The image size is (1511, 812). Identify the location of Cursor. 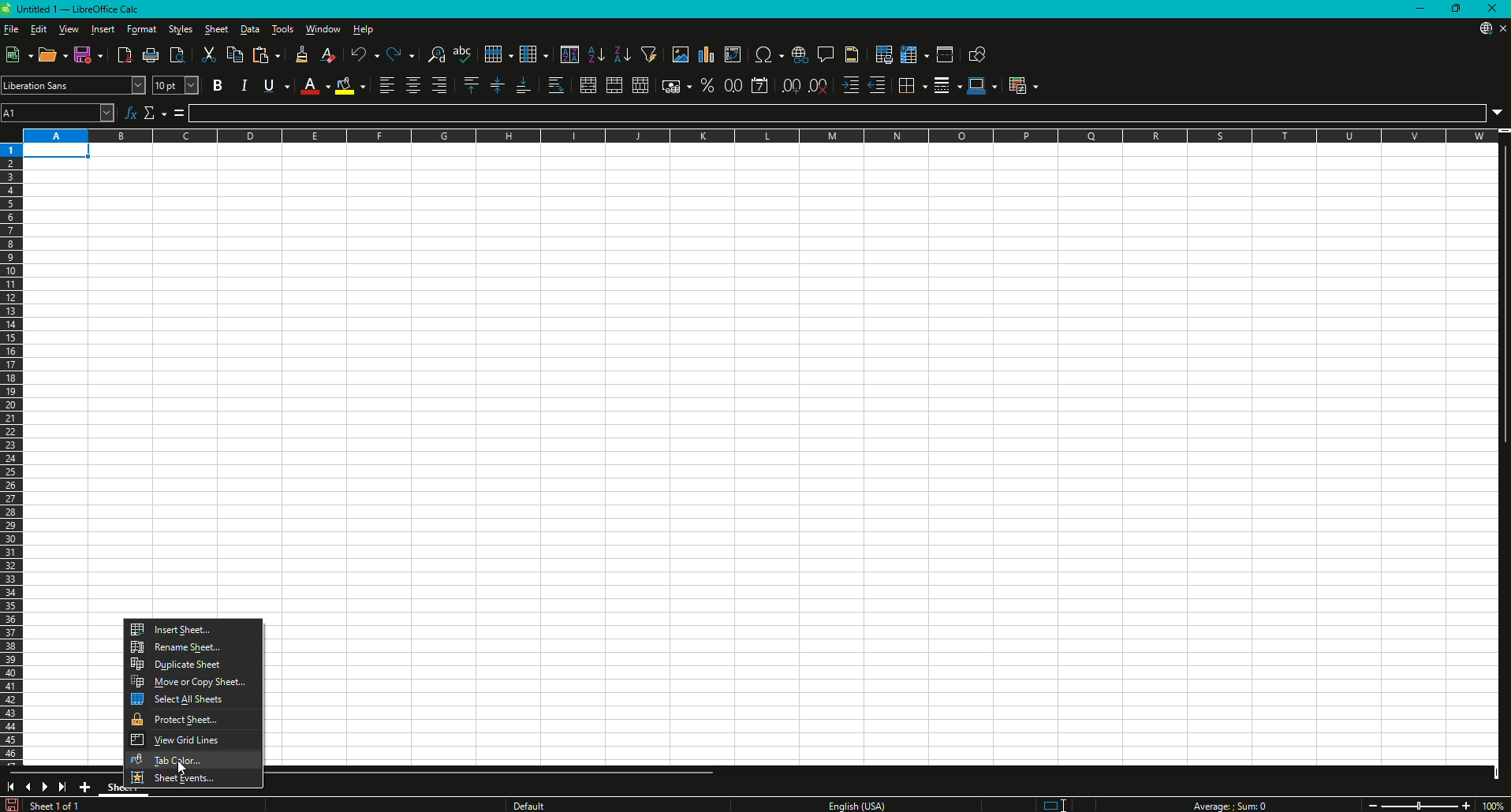
(182, 767).